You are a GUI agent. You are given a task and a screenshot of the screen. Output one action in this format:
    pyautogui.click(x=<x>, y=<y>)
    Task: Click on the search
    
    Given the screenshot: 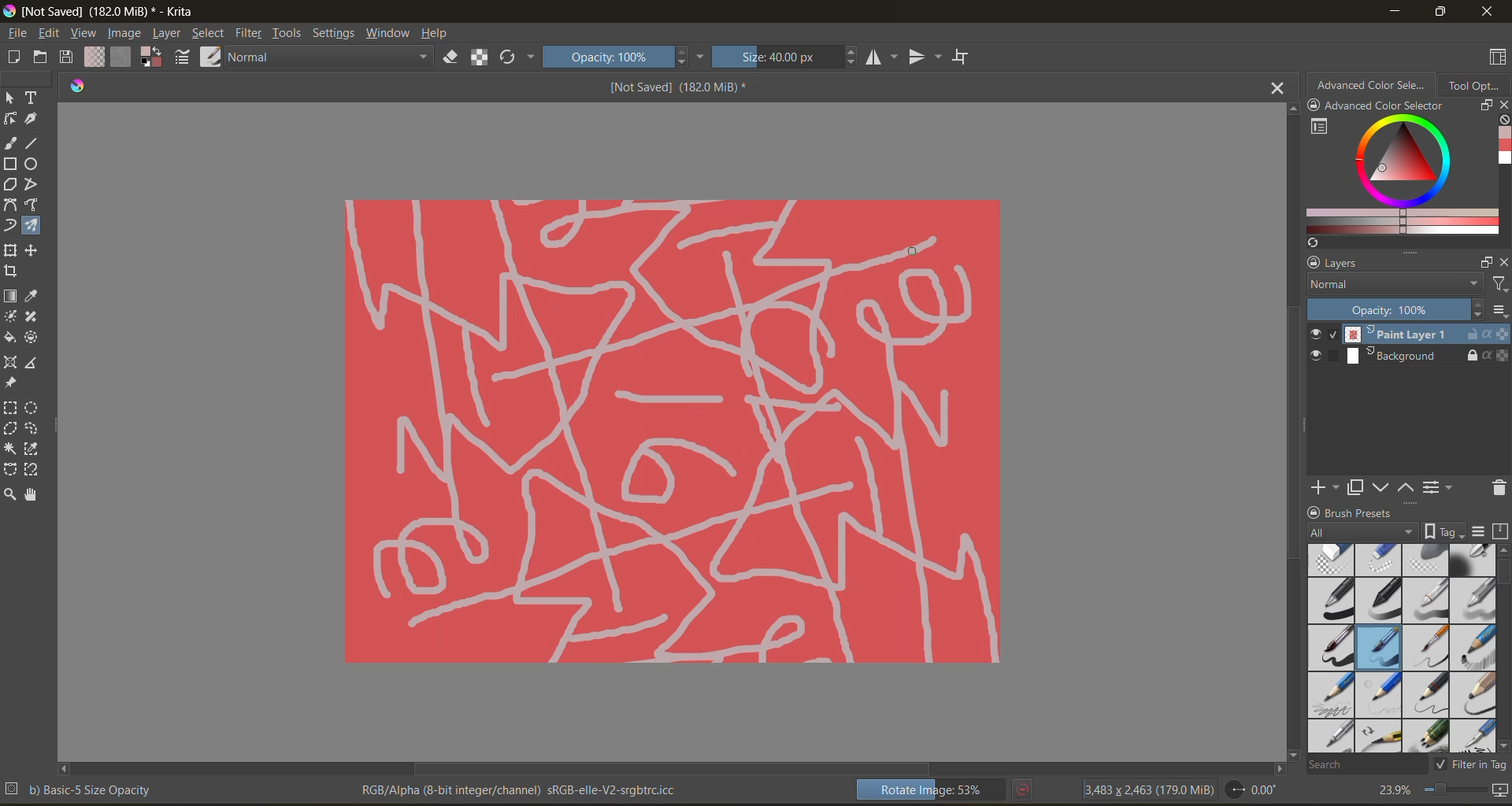 What is the action you would take?
    pyautogui.click(x=1356, y=764)
    